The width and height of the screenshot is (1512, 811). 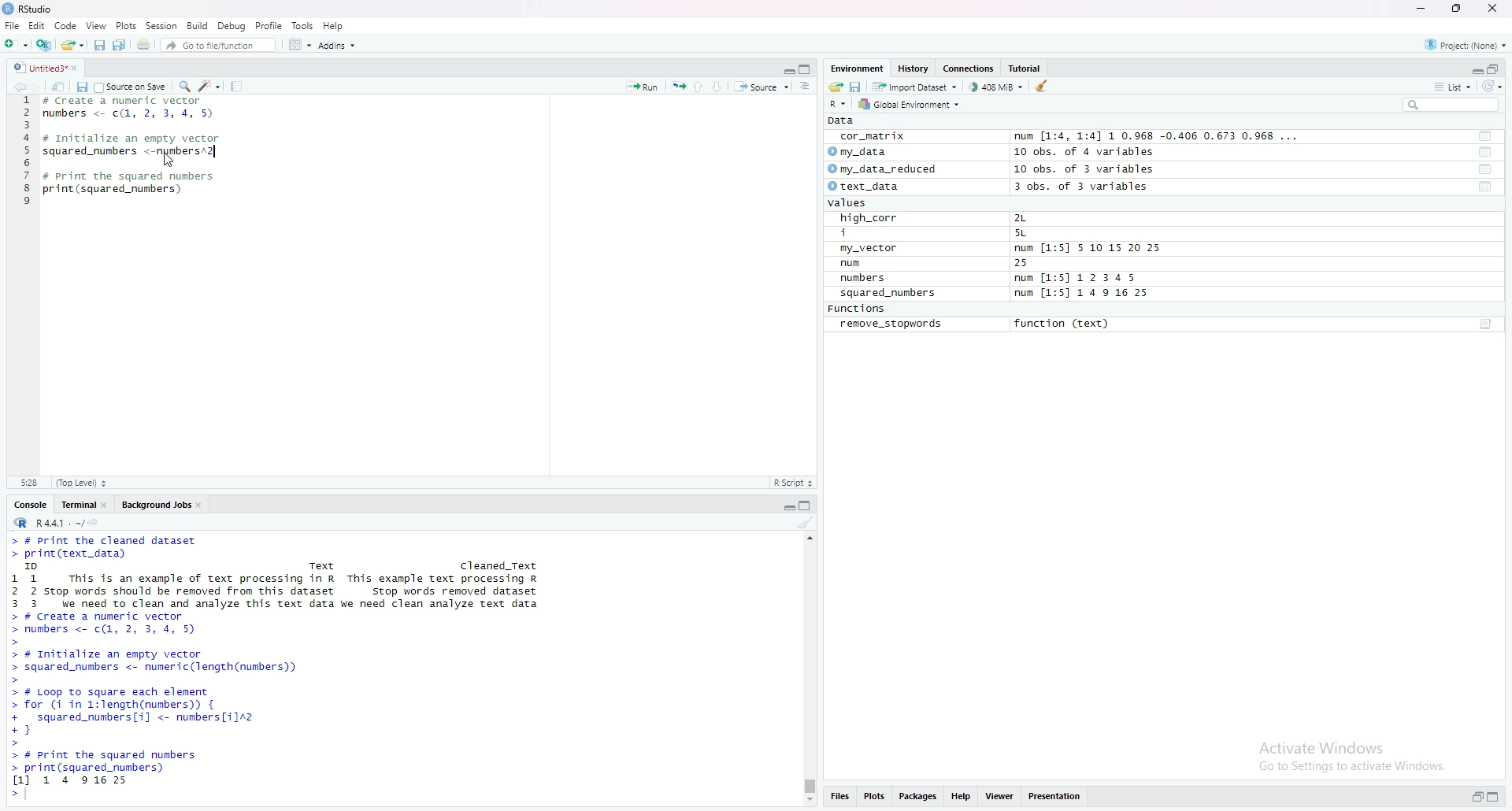 I want to click on verical scrollbar, so click(x=808, y=786).